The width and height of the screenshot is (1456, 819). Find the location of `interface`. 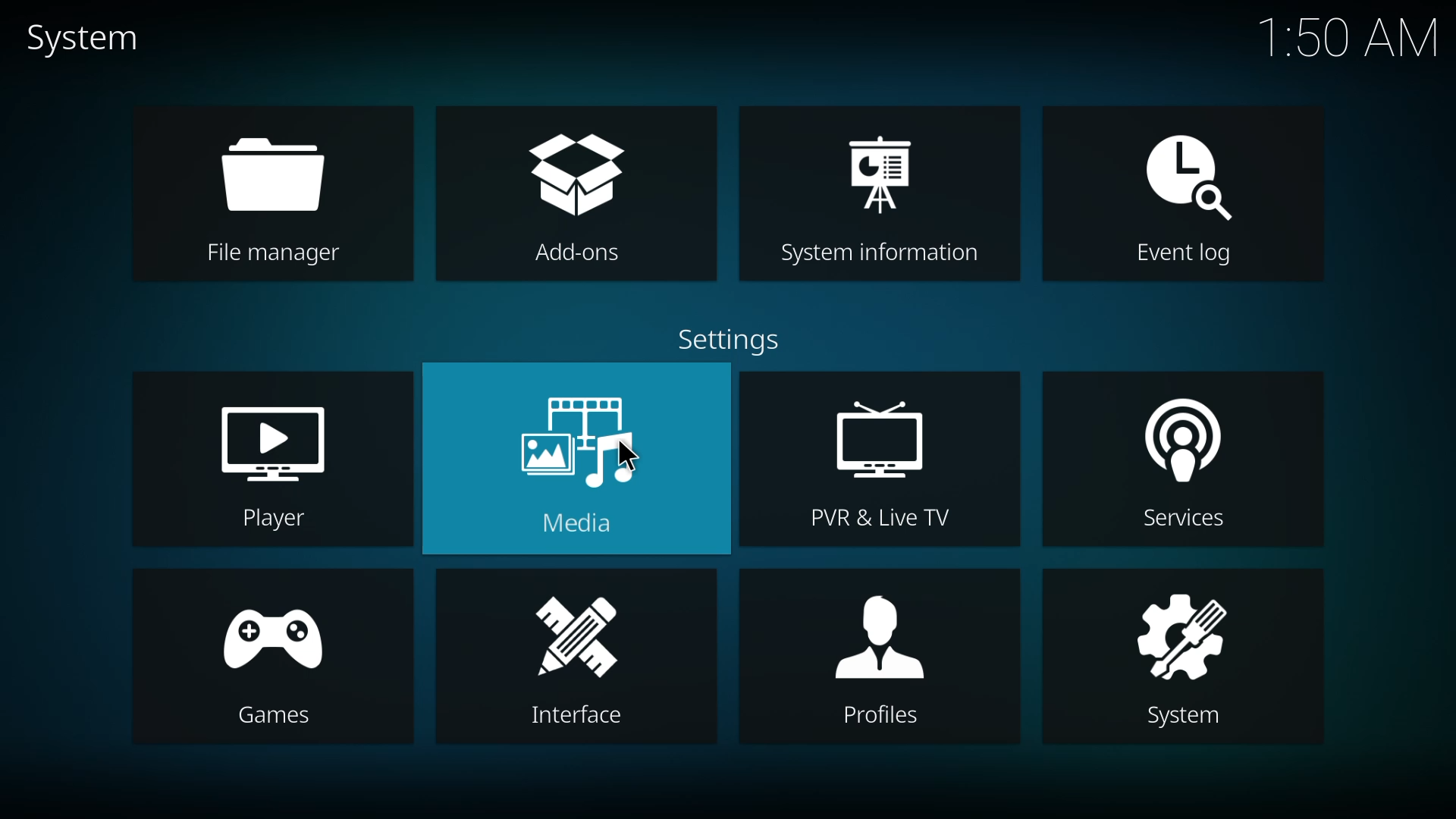

interface is located at coordinates (576, 659).